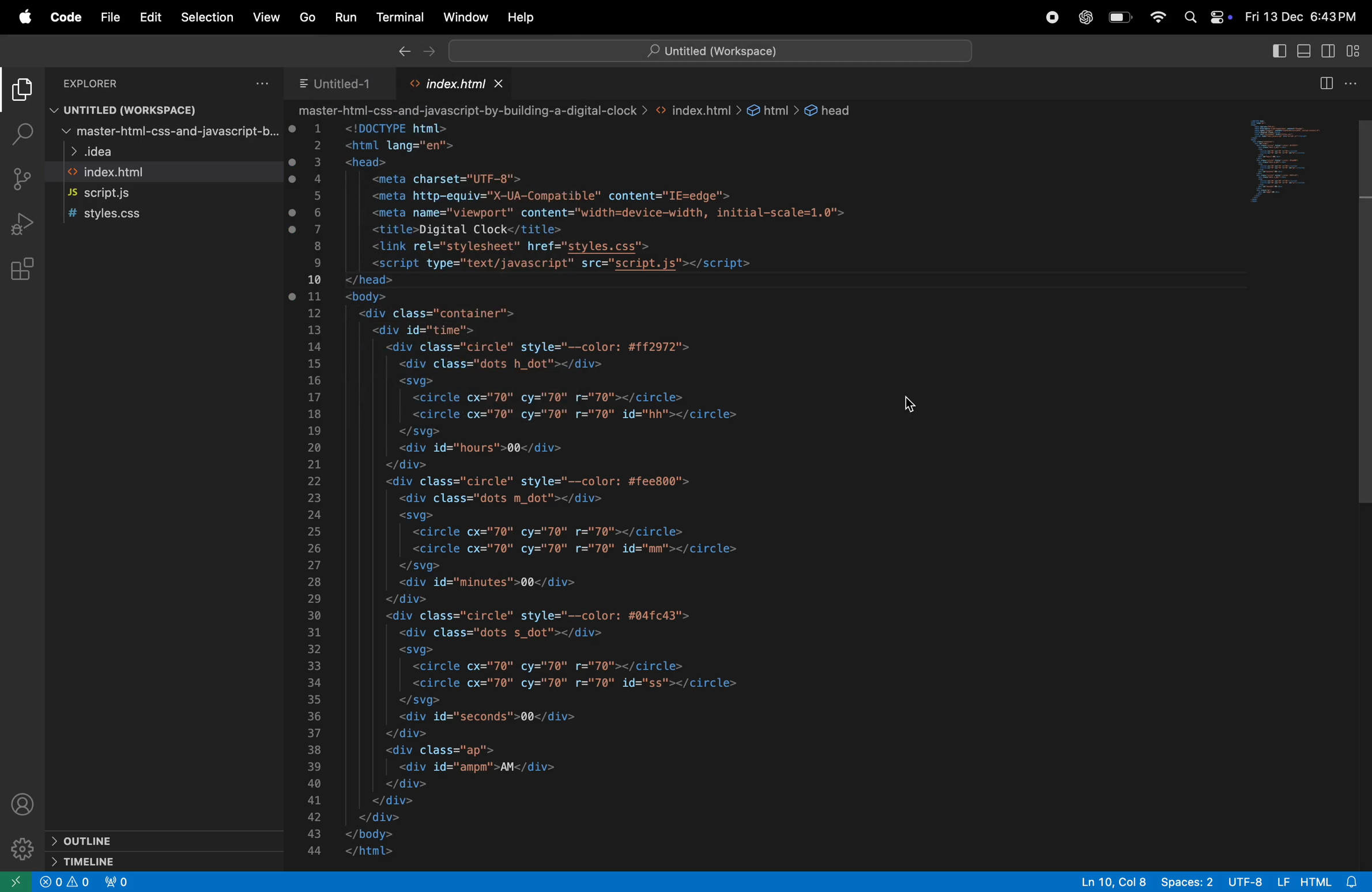 This screenshot has width=1372, height=892. I want to click on untitiled tab, so click(348, 84).